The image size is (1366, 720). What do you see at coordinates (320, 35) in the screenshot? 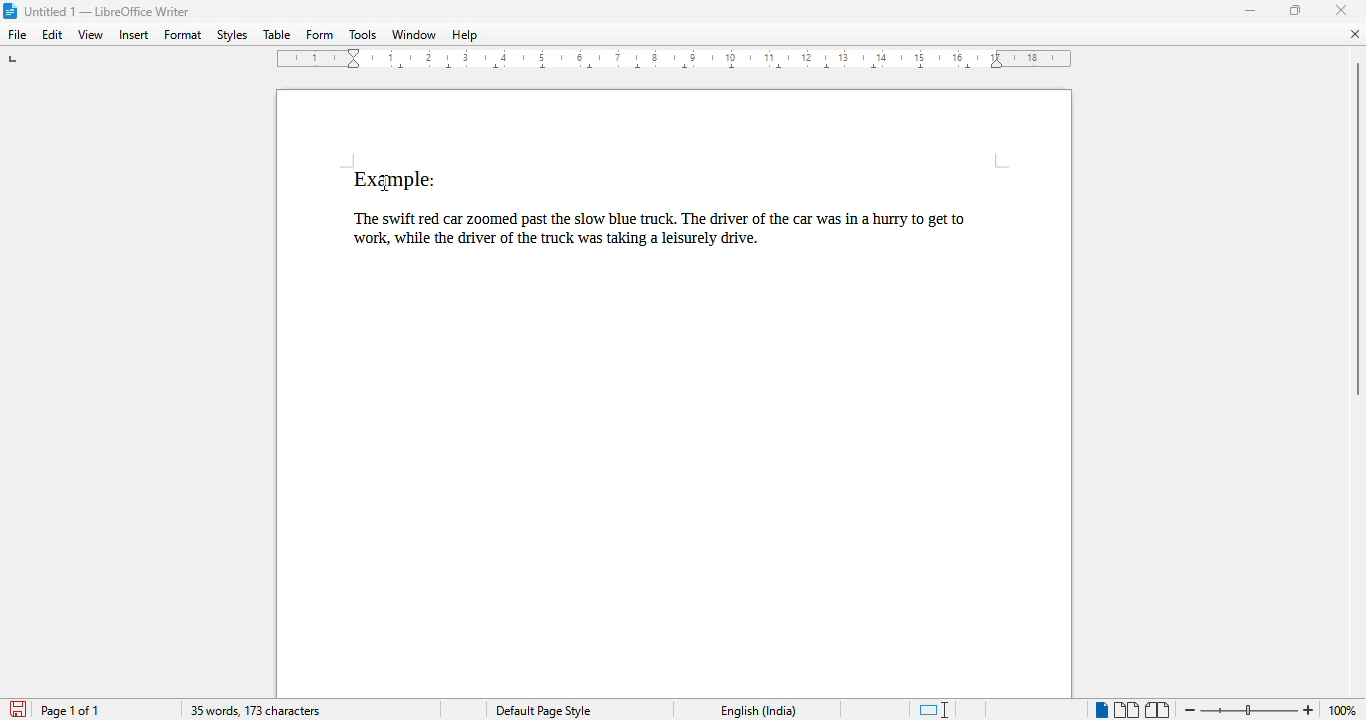
I see `form` at bounding box center [320, 35].